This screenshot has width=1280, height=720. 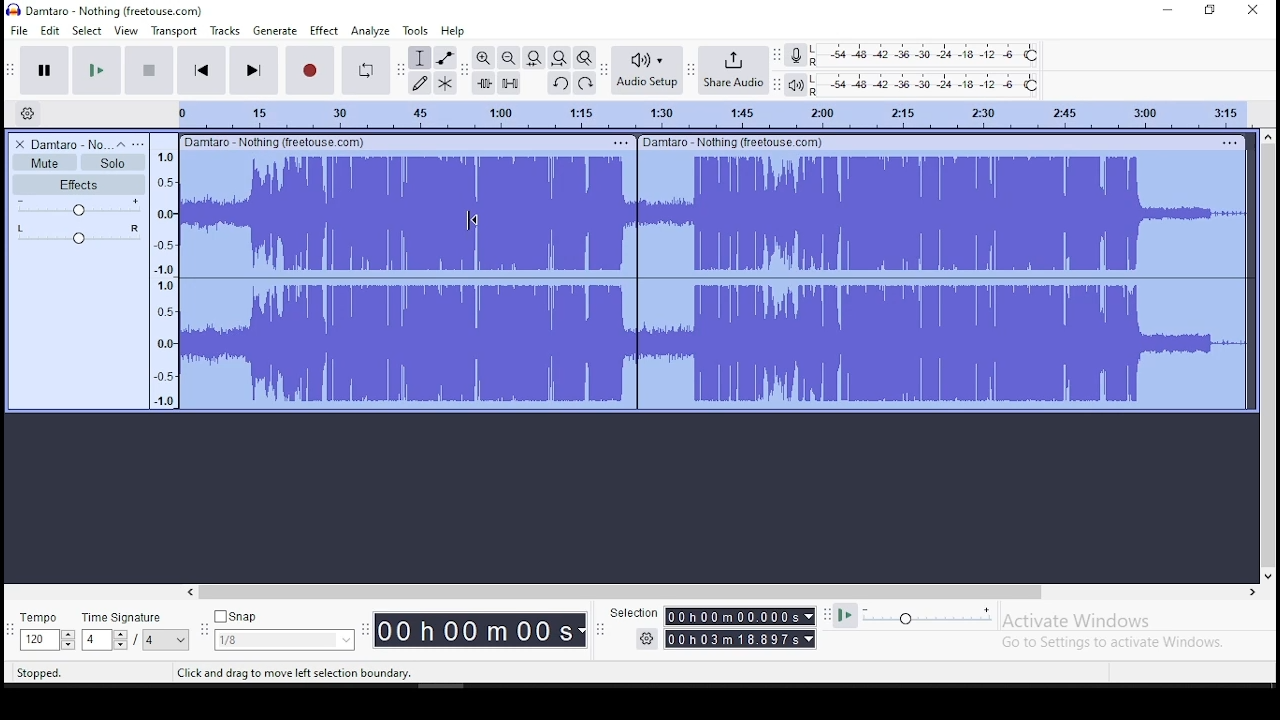 I want to click on help, so click(x=453, y=30).